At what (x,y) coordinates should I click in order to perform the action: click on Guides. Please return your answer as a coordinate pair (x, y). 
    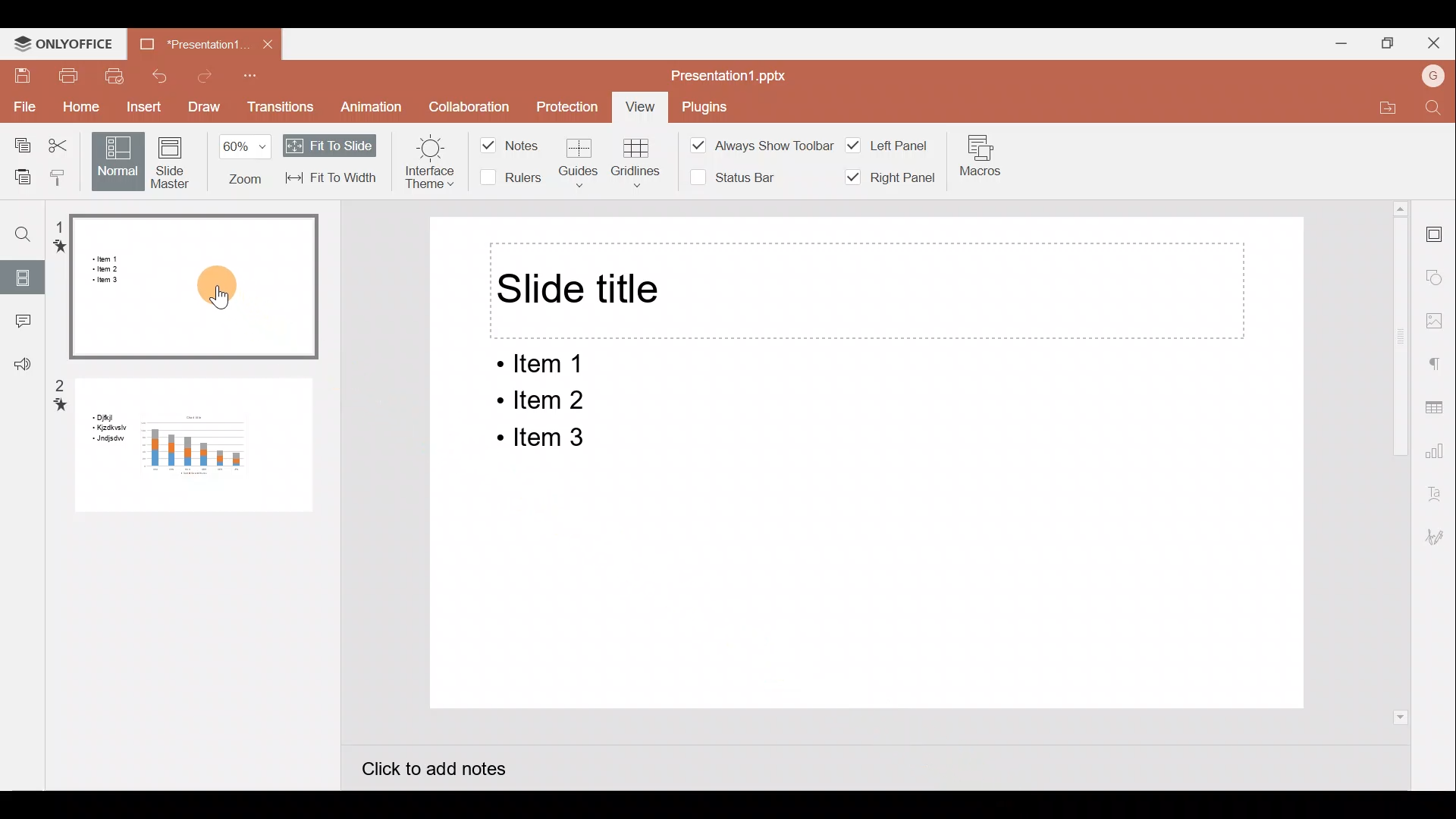
    Looking at the image, I should click on (577, 164).